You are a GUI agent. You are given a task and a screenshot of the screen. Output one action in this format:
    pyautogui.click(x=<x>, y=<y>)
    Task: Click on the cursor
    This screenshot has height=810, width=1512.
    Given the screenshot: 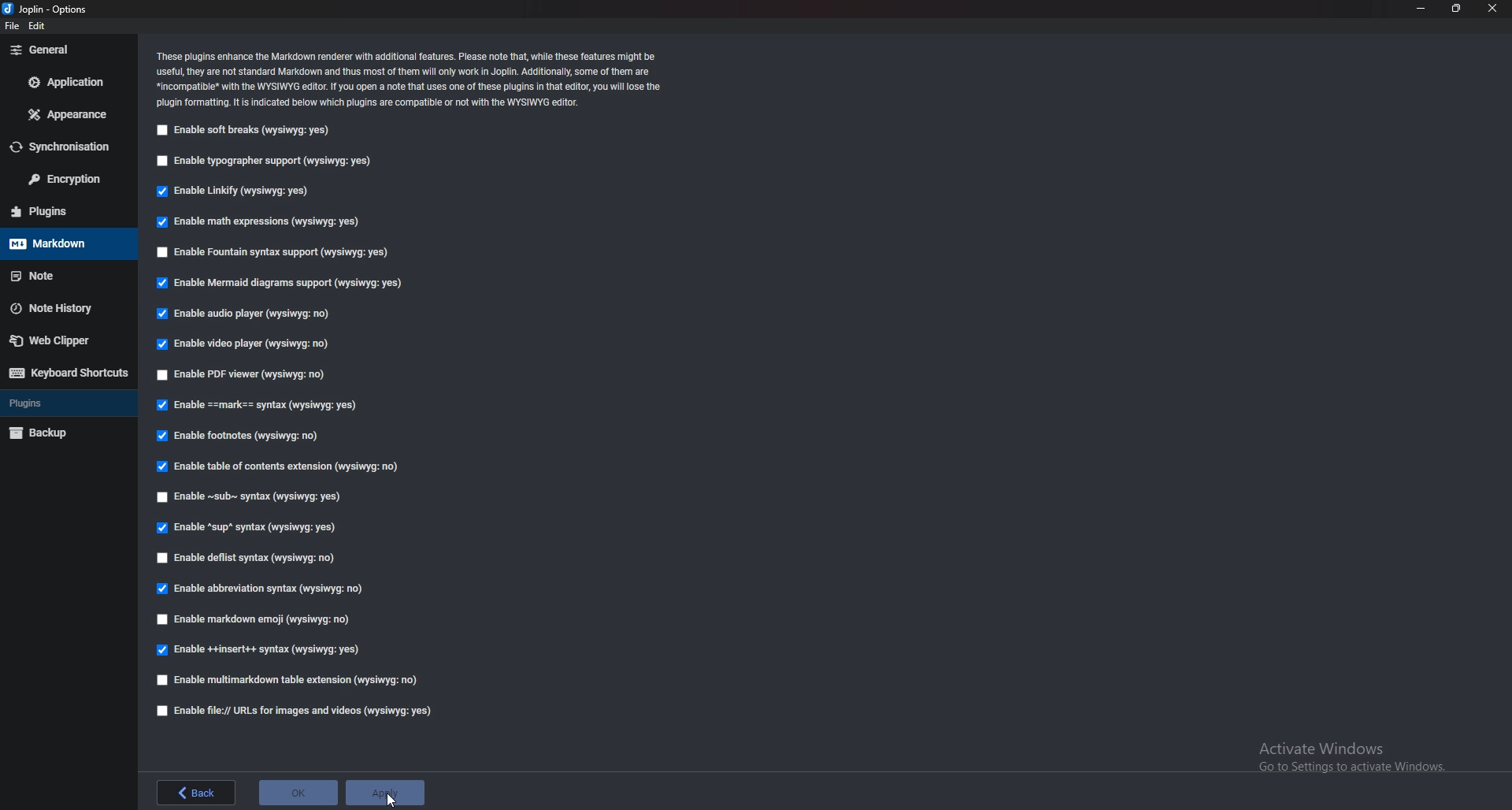 What is the action you would take?
    pyautogui.click(x=394, y=796)
    